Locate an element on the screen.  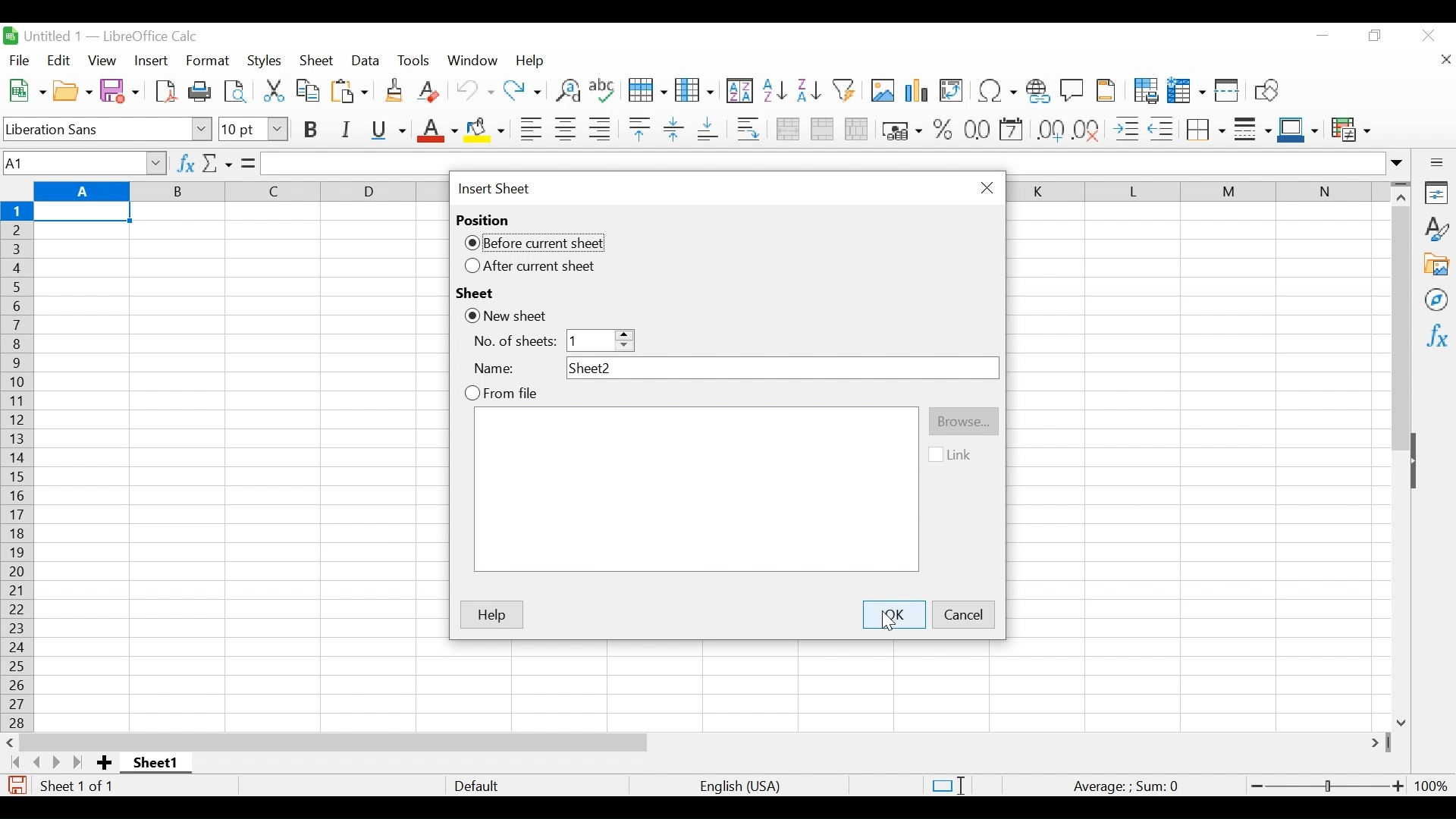
Sort Ascending is located at coordinates (774, 89).